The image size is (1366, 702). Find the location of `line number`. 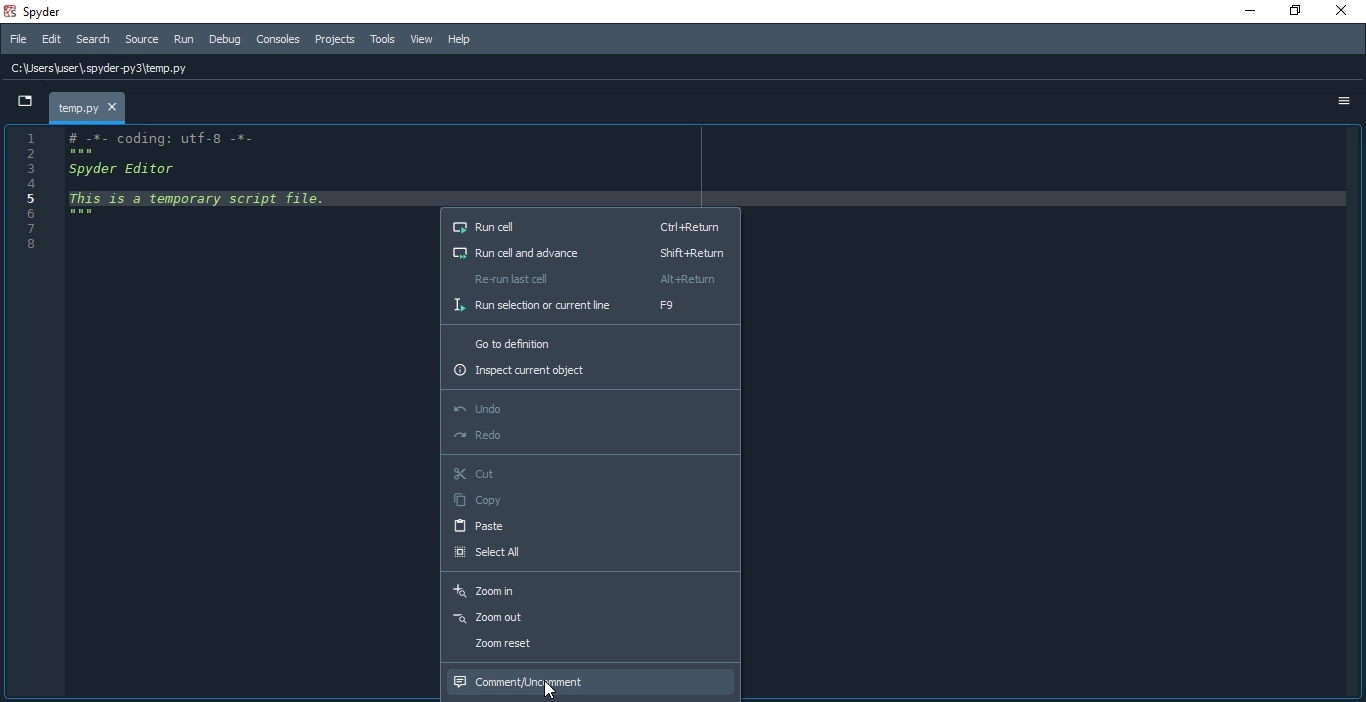

line number is located at coordinates (24, 198).